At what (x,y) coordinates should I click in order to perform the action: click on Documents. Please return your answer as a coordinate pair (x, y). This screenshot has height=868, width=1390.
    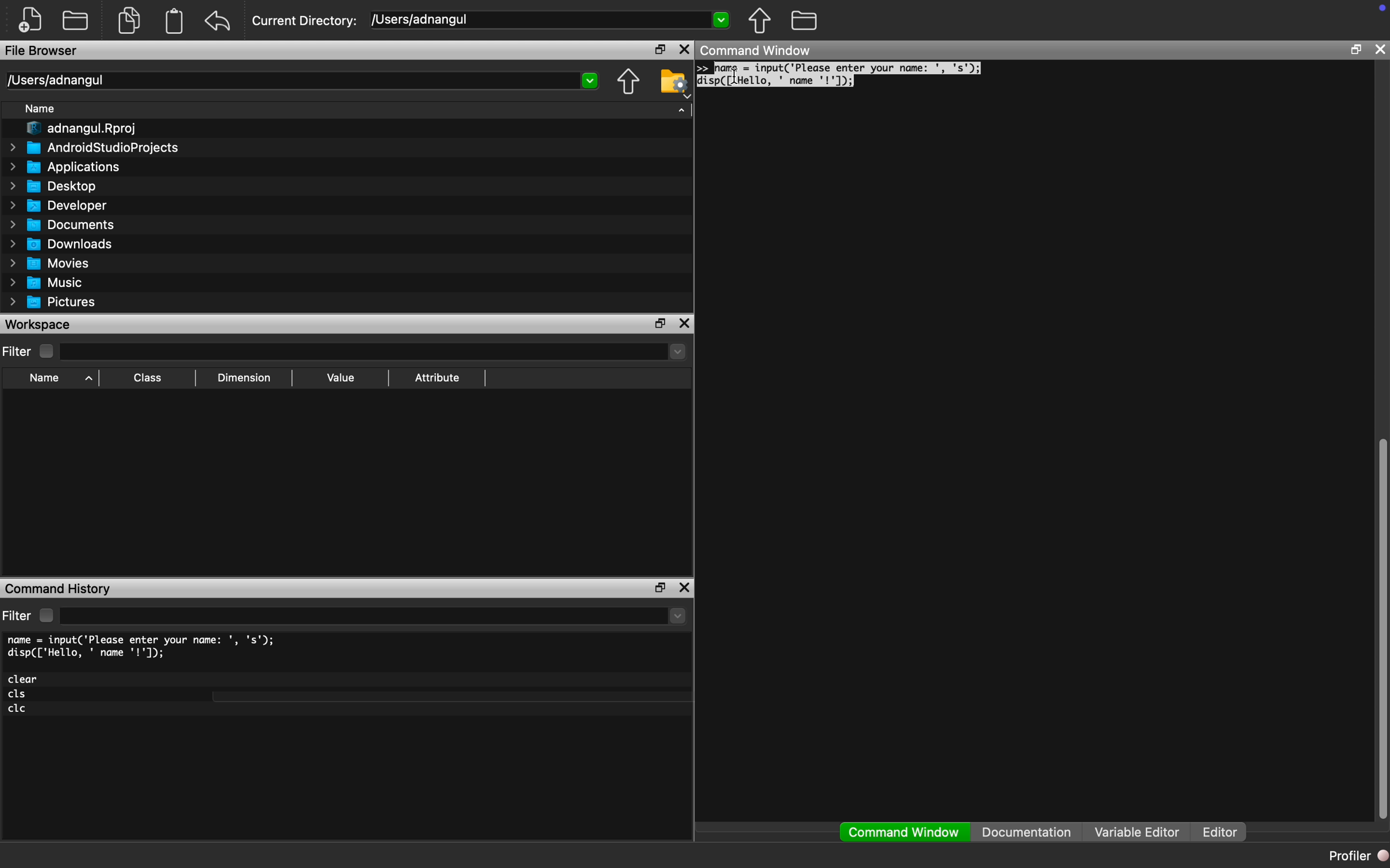
    Looking at the image, I should click on (65, 224).